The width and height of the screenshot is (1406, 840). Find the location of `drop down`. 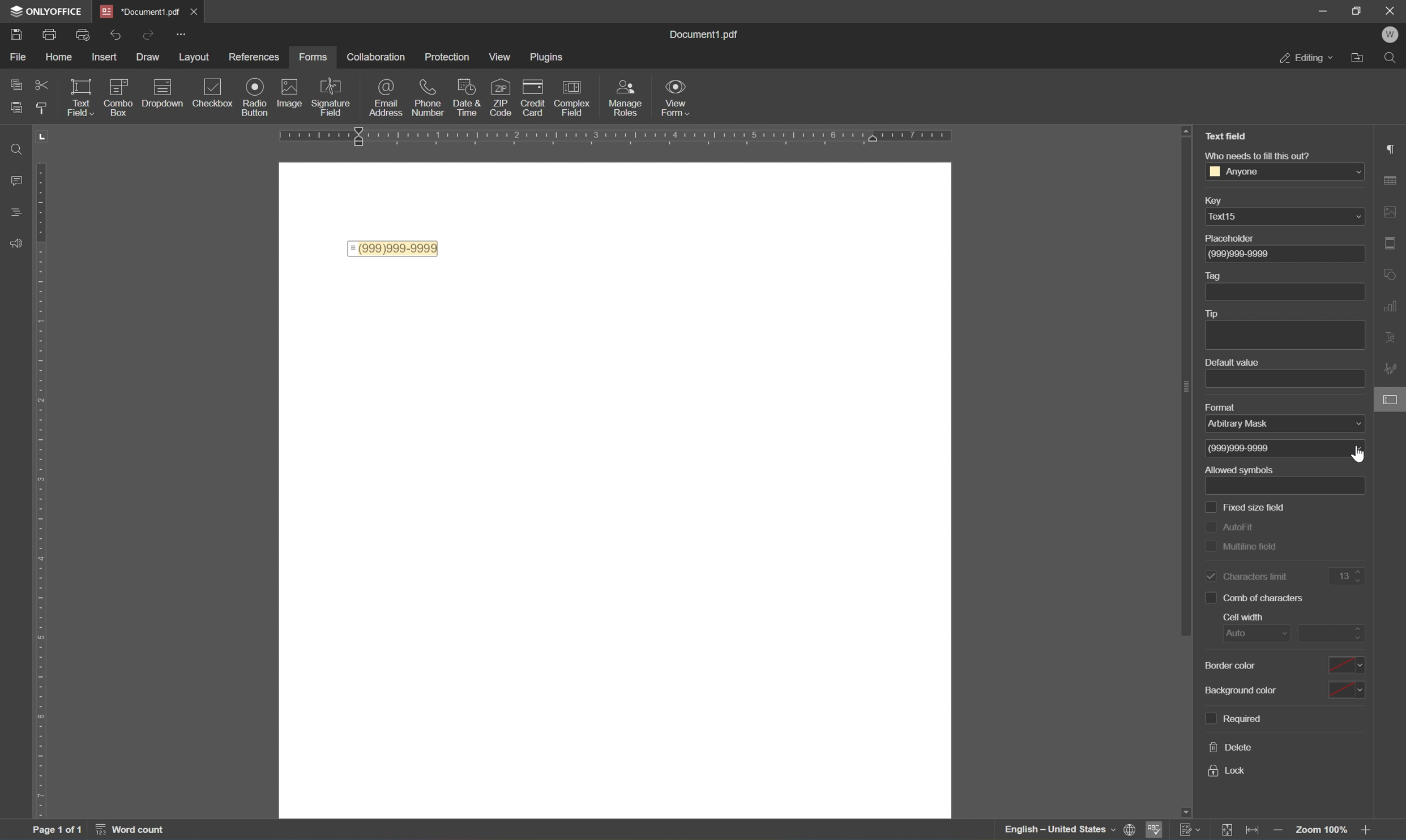

drop down is located at coordinates (1356, 216).